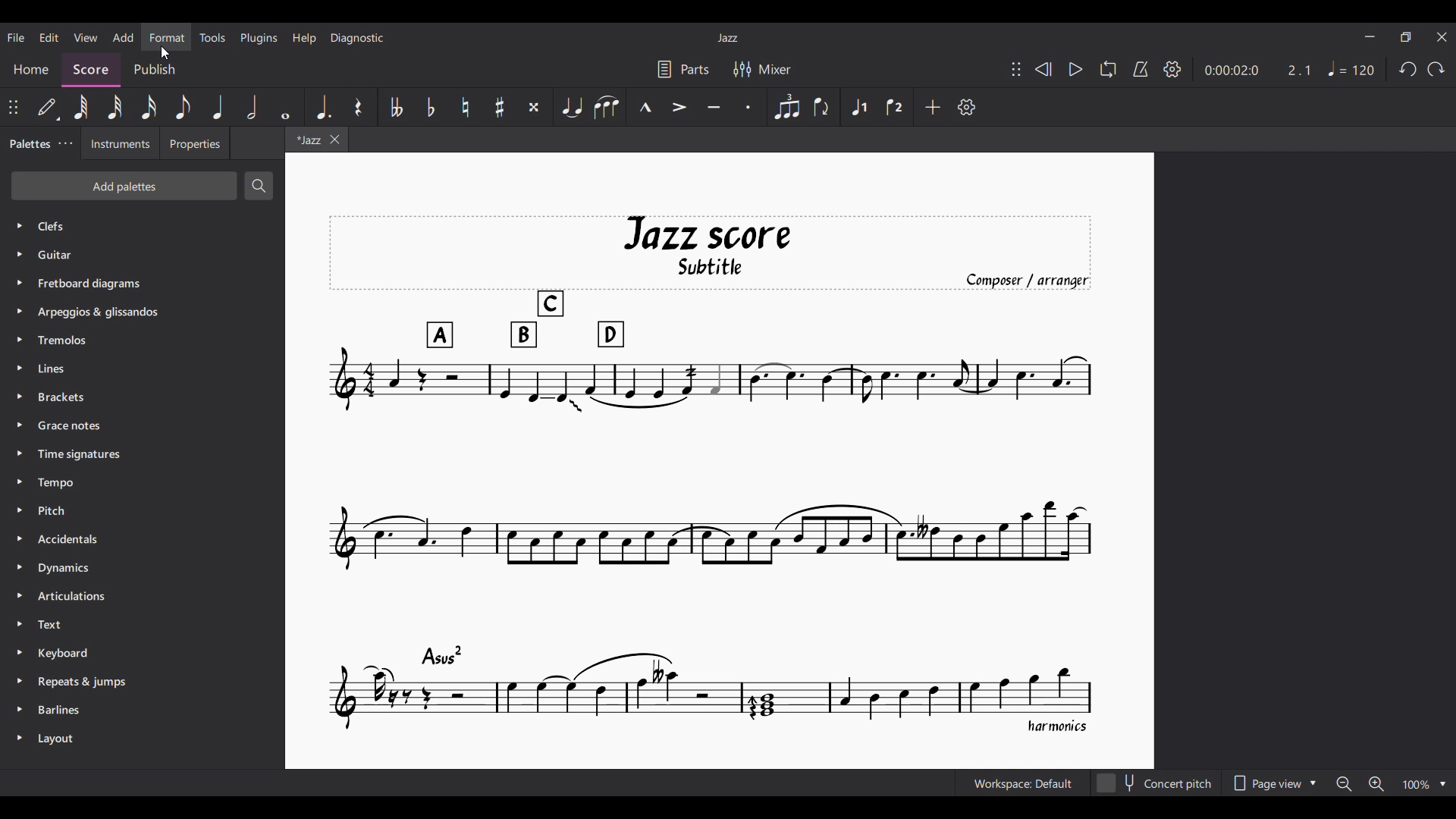 The width and height of the screenshot is (1456, 819). Describe the element at coordinates (535, 107) in the screenshot. I see `Toggle double sharp` at that location.